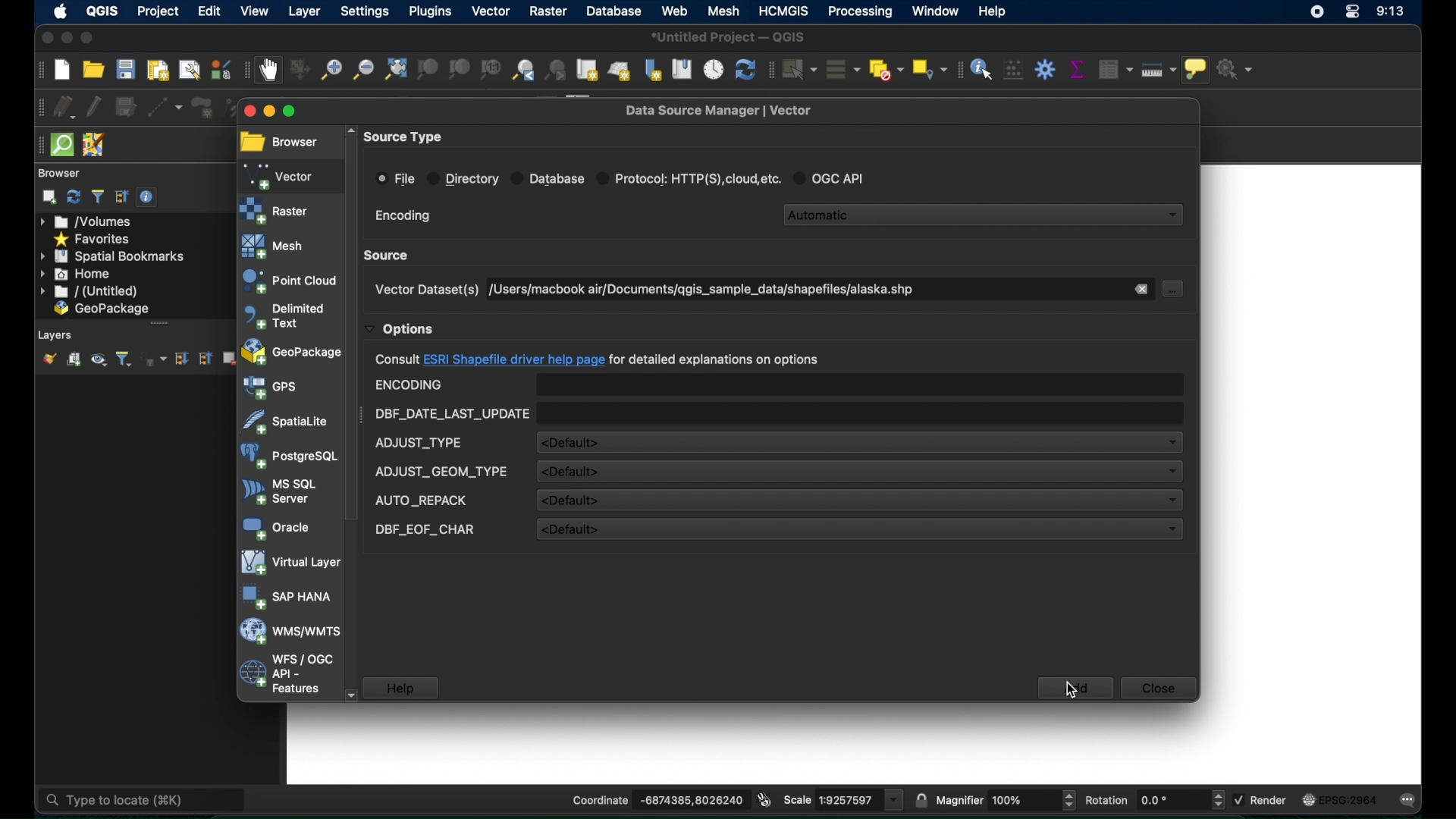  Describe the element at coordinates (724, 11) in the screenshot. I see `mesh` at that location.